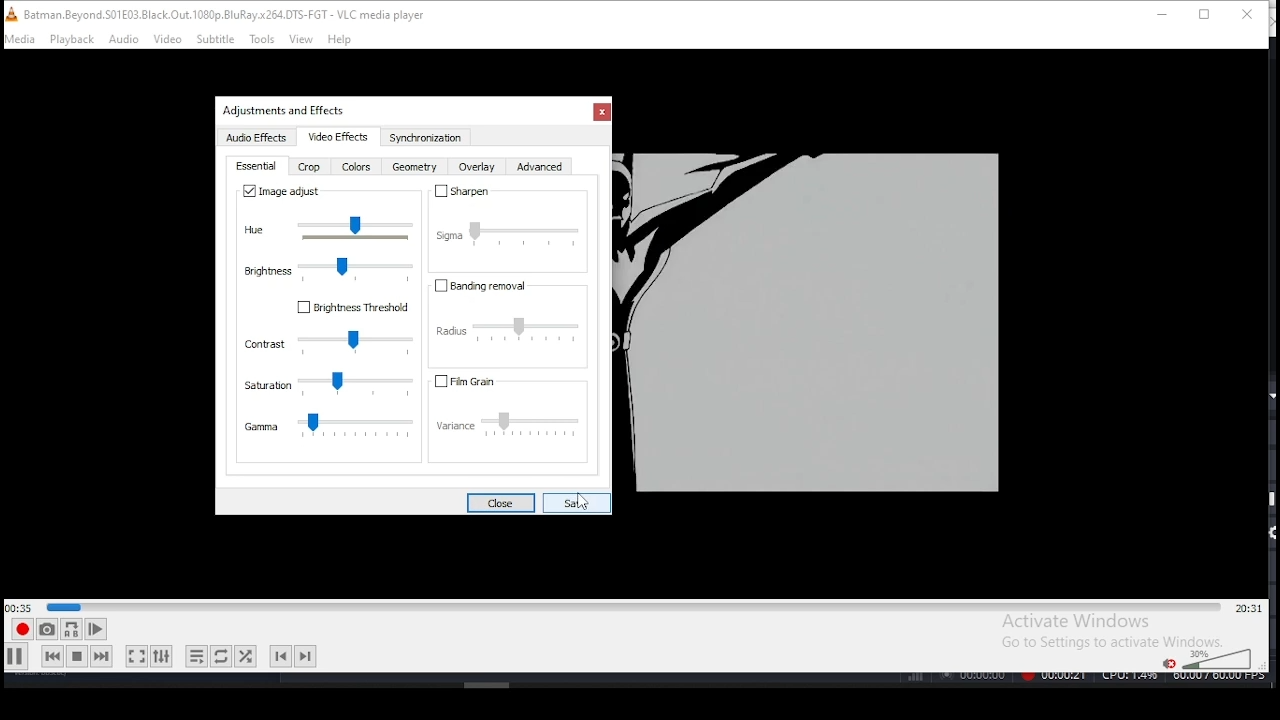 Image resolution: width=1280 pixels, height=720 pixels. What do you see at coordinates (168, 40) in the screenshot?
I see `video` at bounding box center [168, 40].